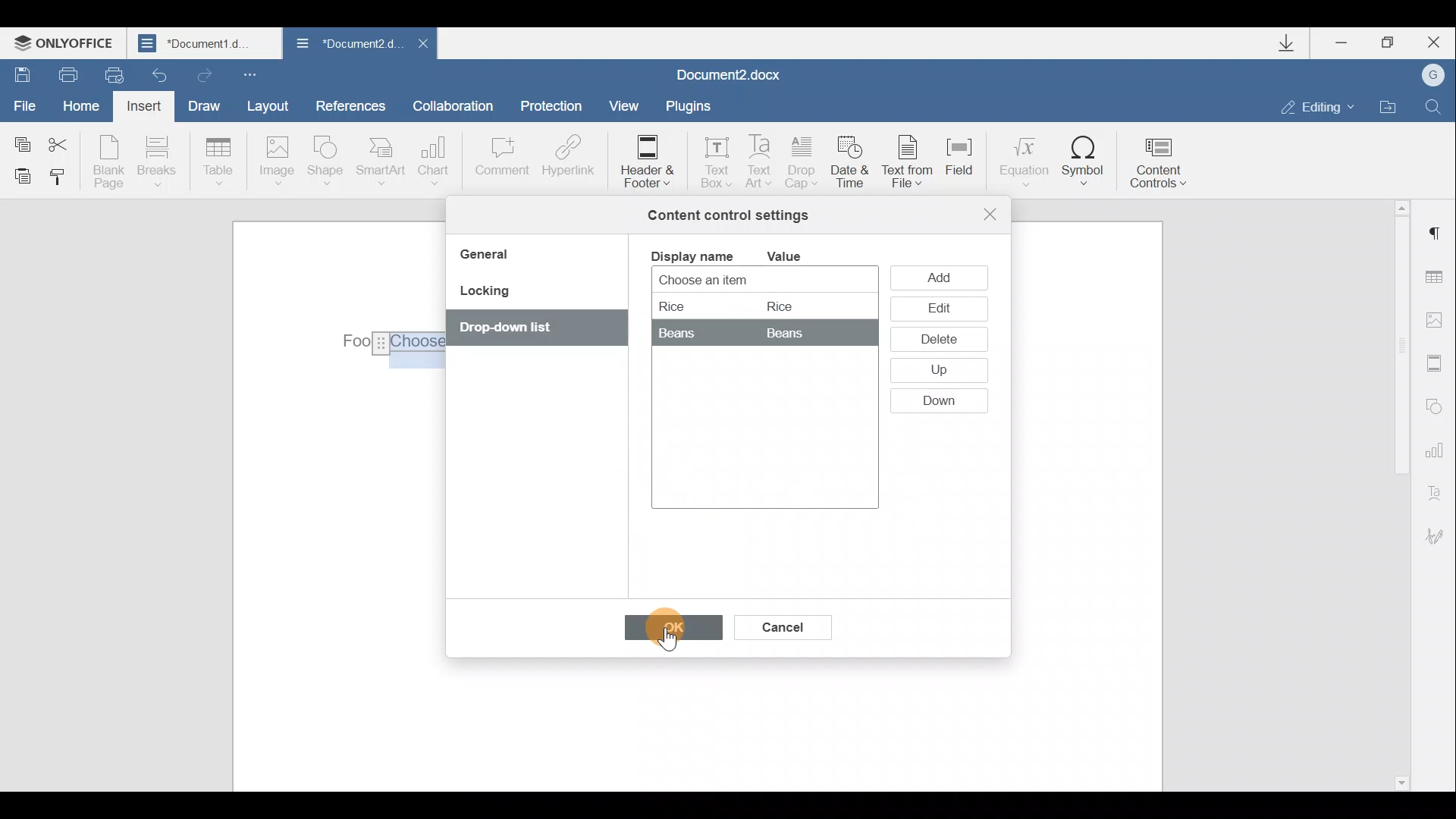  Describe the element at coordinates (730, 73) in the screenshot. I see `Document2.docx` at that location.